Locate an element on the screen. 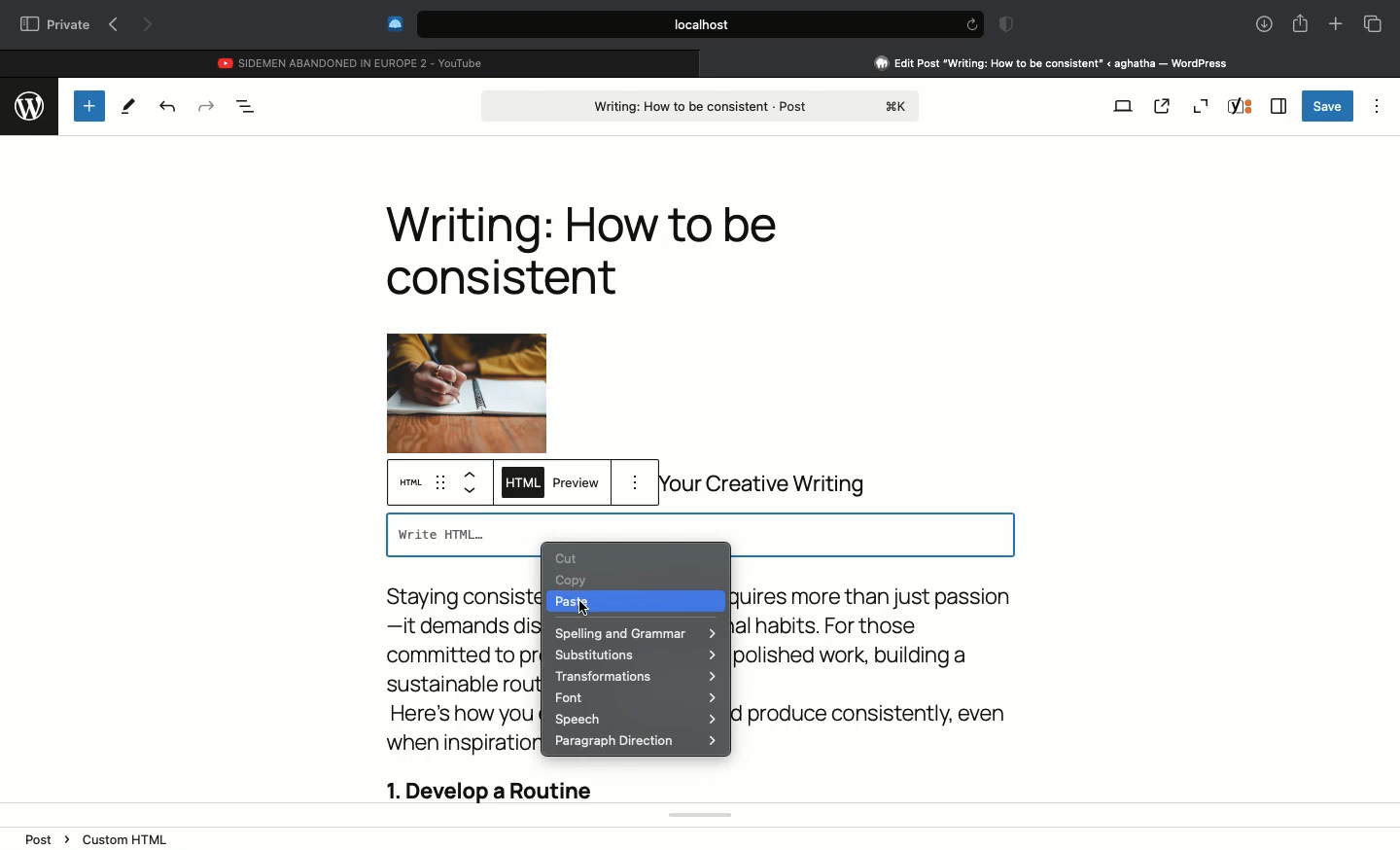 The height and width of the screenshot is (850, 1400). Paragraph direction is located at coordinates (636, 741).